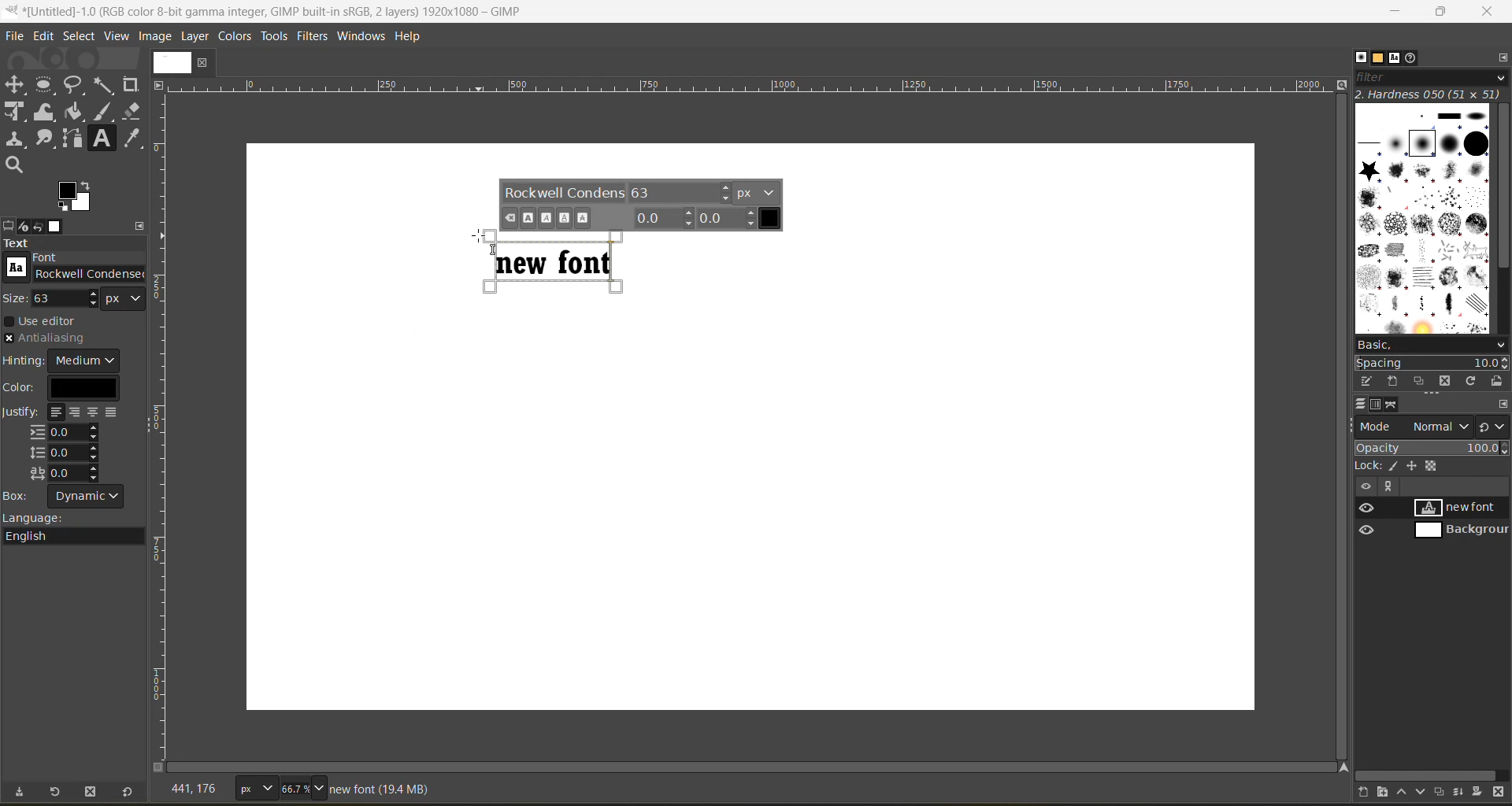  I want to click on create a new layer group, so click(1384, 793).